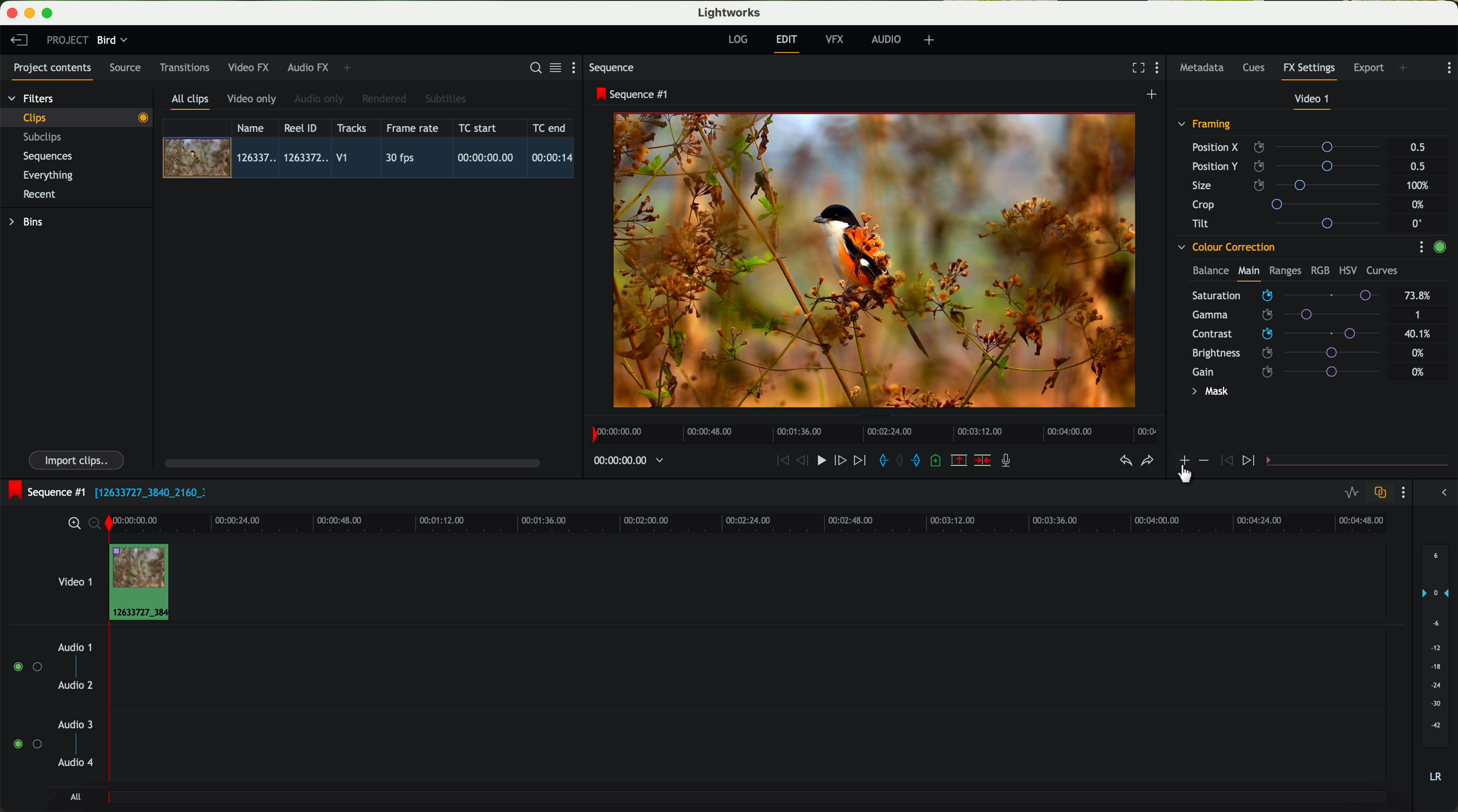  What do you see at coordinates (1378, 493) in the screenshot?
I see `toggle auto track sync` at bounding box center [1378, 493].